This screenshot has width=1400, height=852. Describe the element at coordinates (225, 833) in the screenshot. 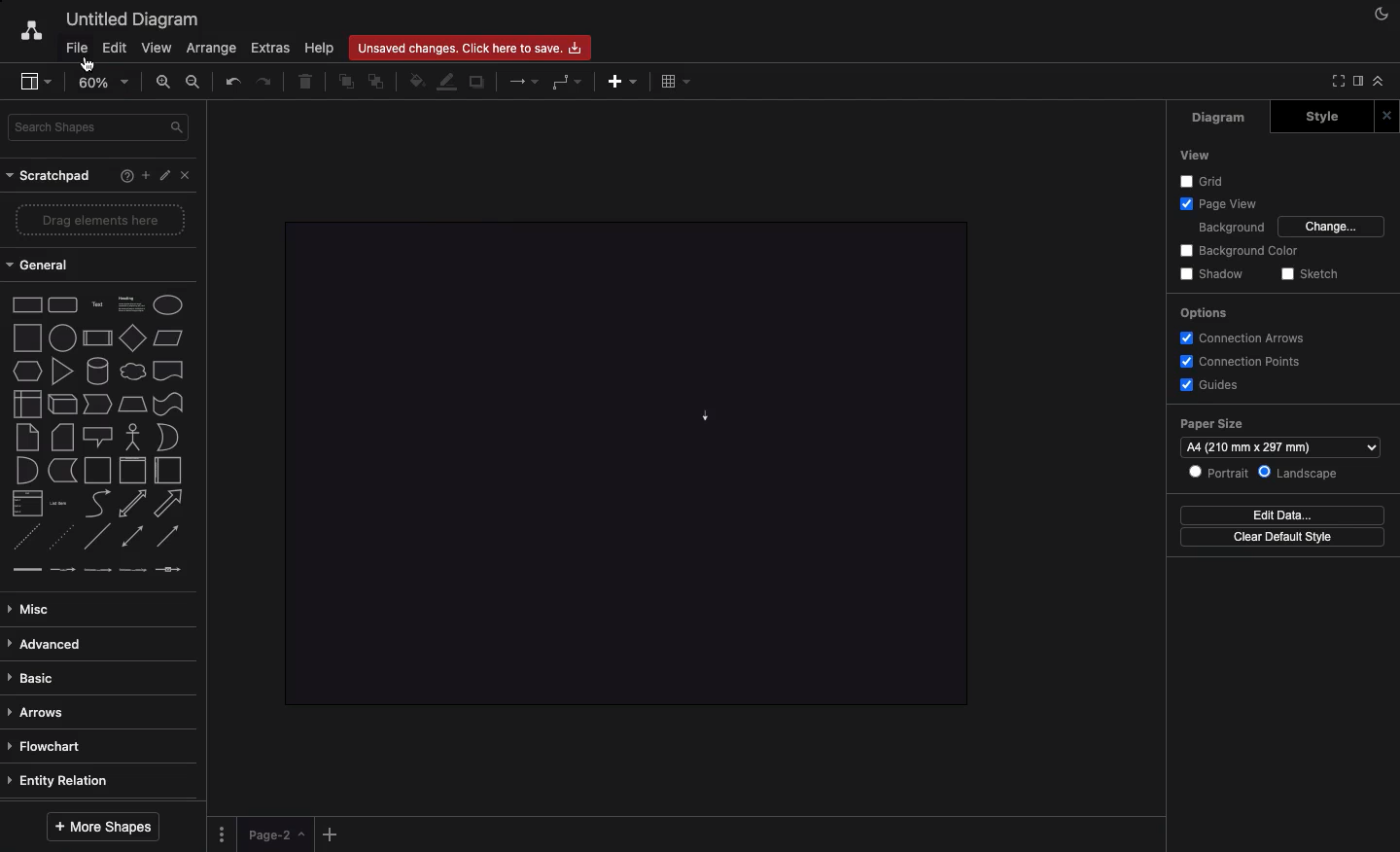

I see `Options` at that location.